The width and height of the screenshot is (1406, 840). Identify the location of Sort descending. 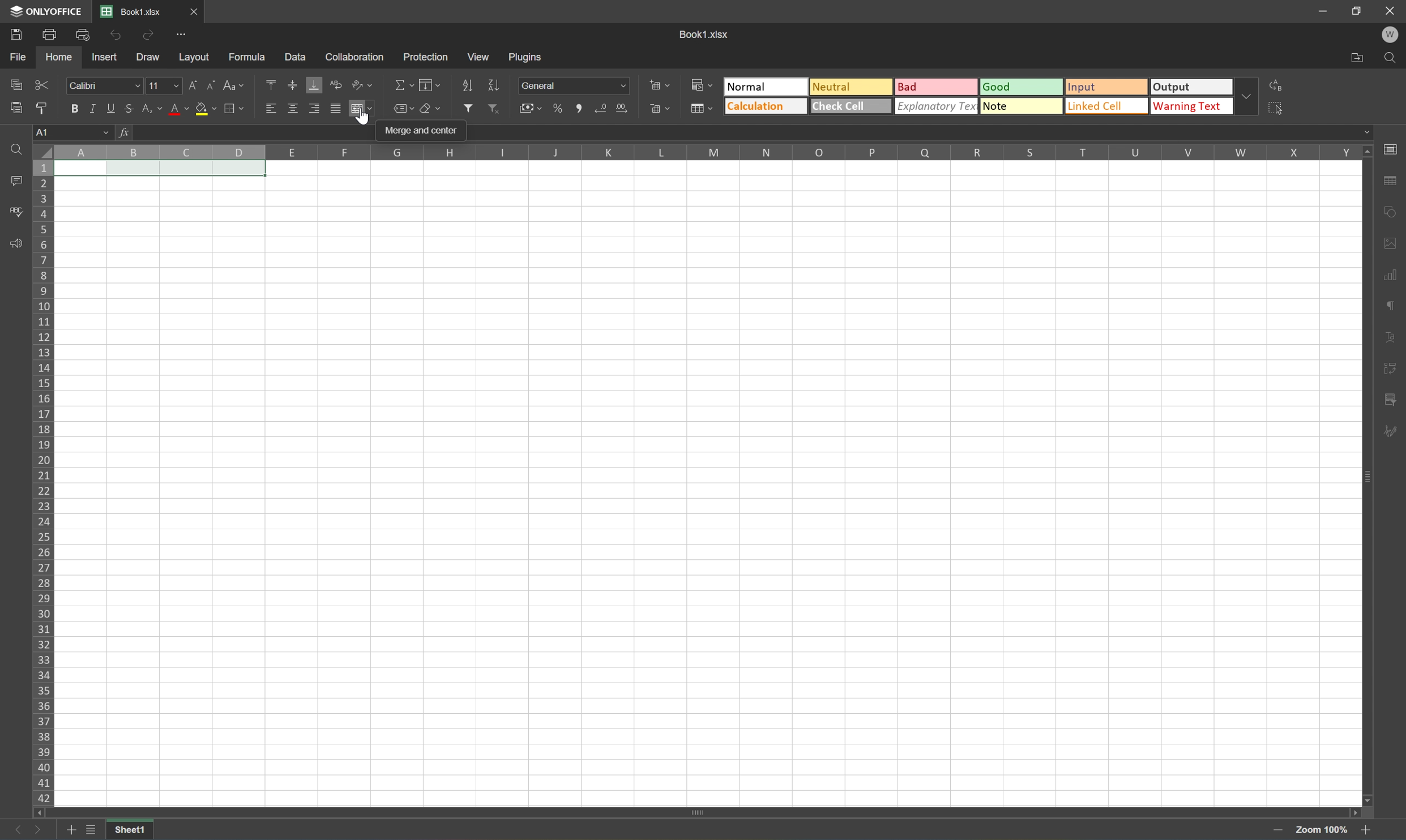
(493, 84).